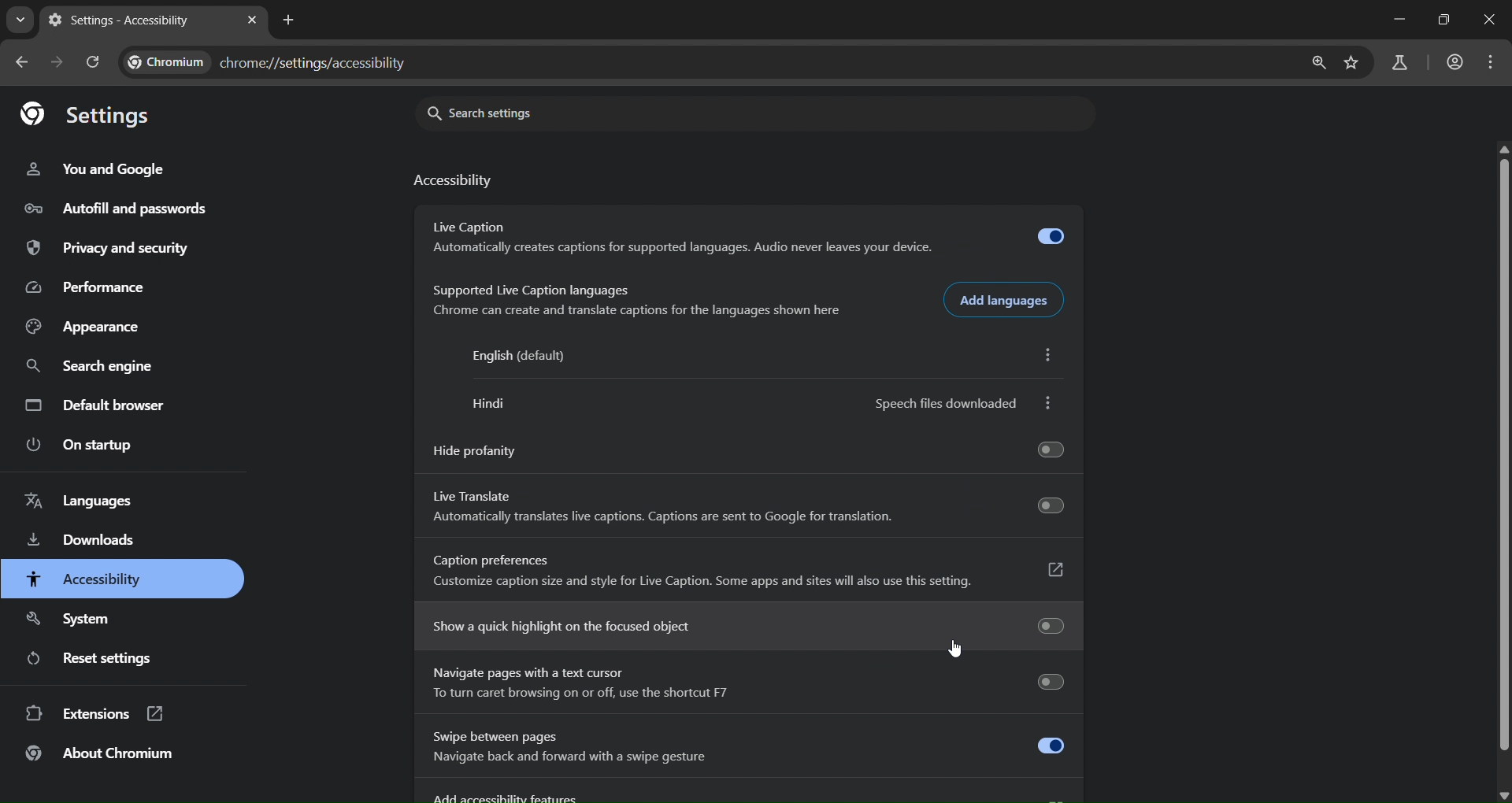  Describe the element at coordinates (750, 572) in the screenshot. I see `Caption preferences [2]
Customize caption size and style for Live Caption. Some apps and sites will also use this setting.` at that location.